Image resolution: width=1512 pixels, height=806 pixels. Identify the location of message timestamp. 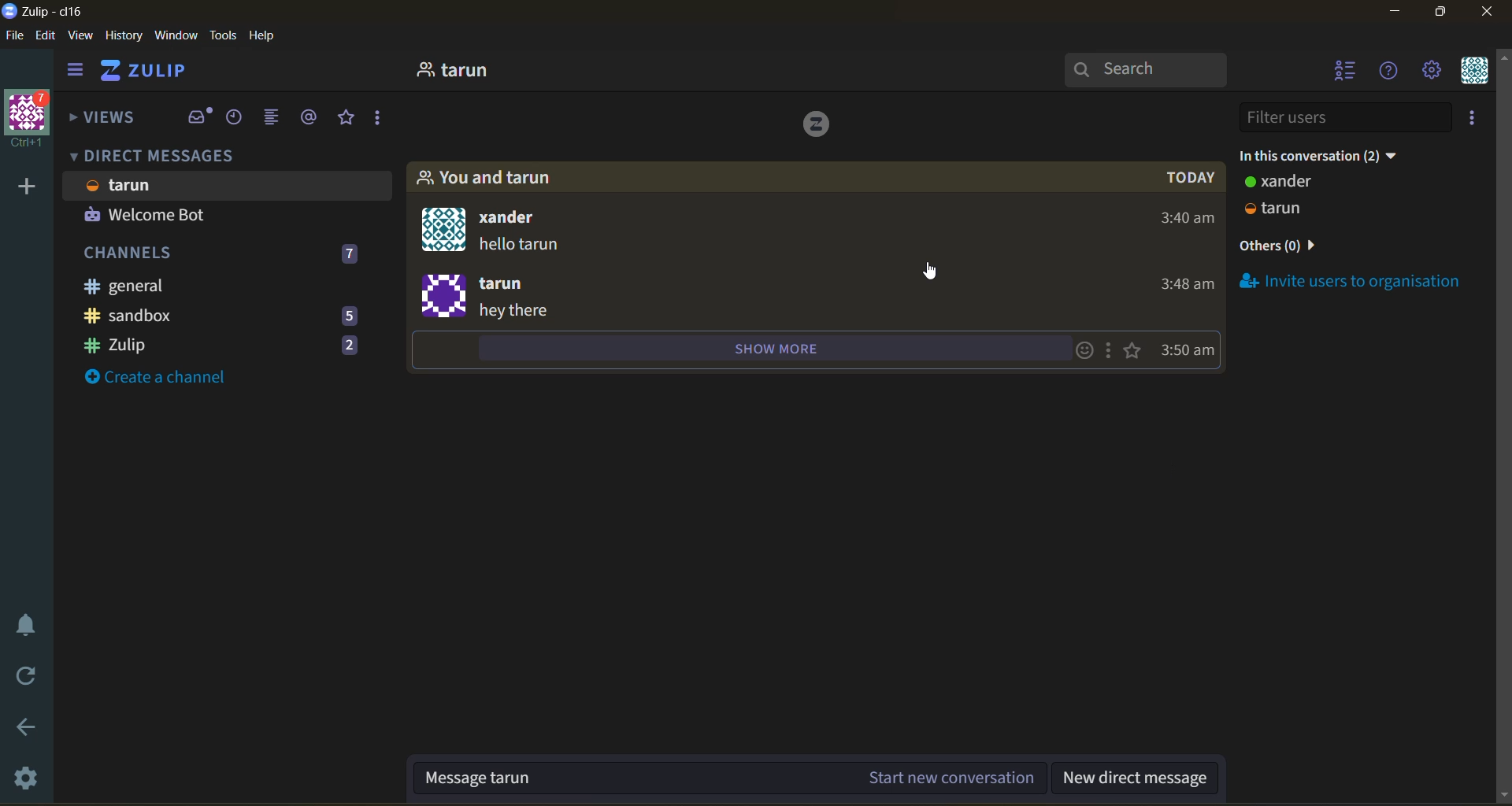
(1186, 353).